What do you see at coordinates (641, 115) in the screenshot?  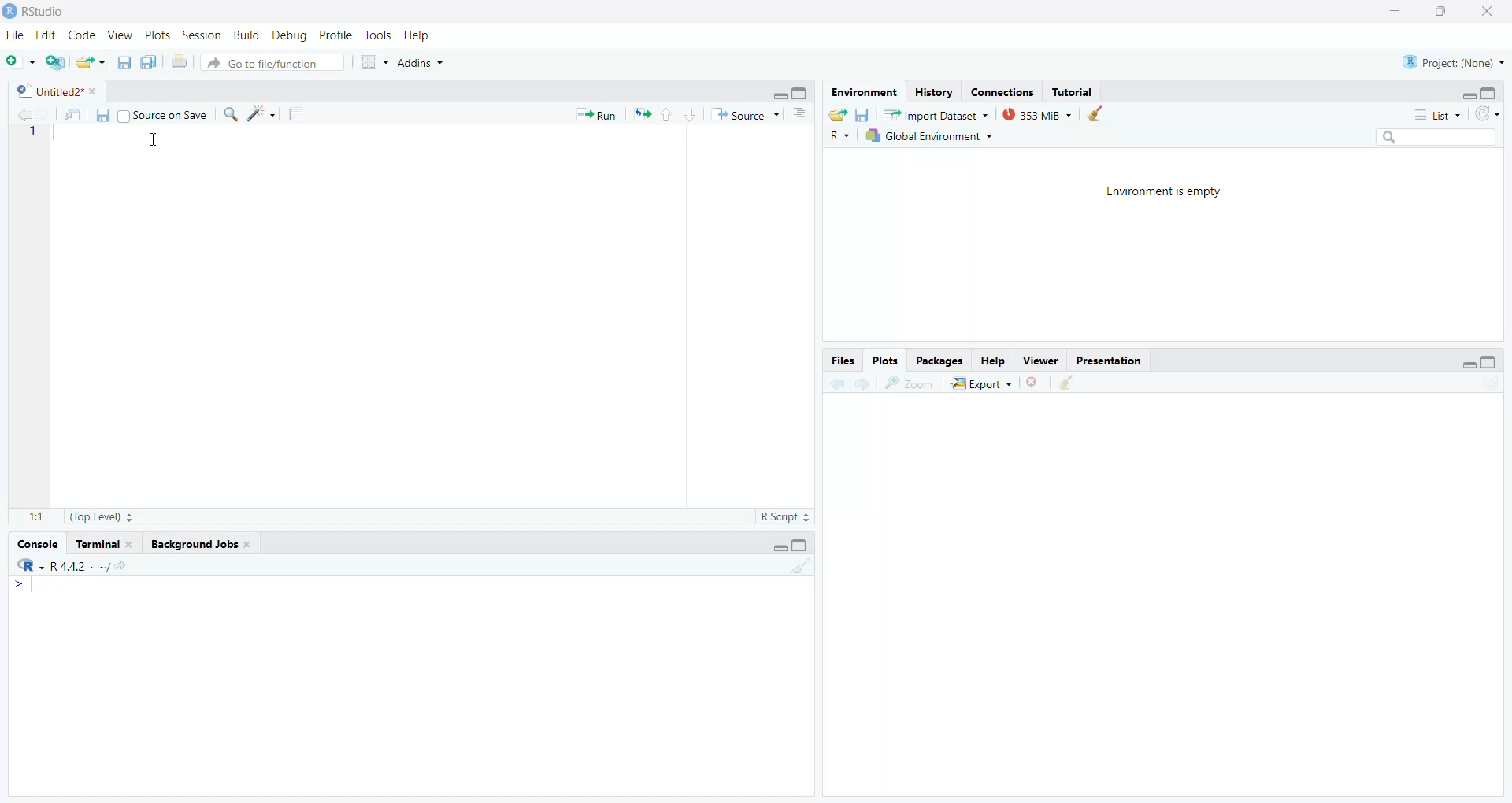 I see `re run the previous code` at bounding box center [641, 115].